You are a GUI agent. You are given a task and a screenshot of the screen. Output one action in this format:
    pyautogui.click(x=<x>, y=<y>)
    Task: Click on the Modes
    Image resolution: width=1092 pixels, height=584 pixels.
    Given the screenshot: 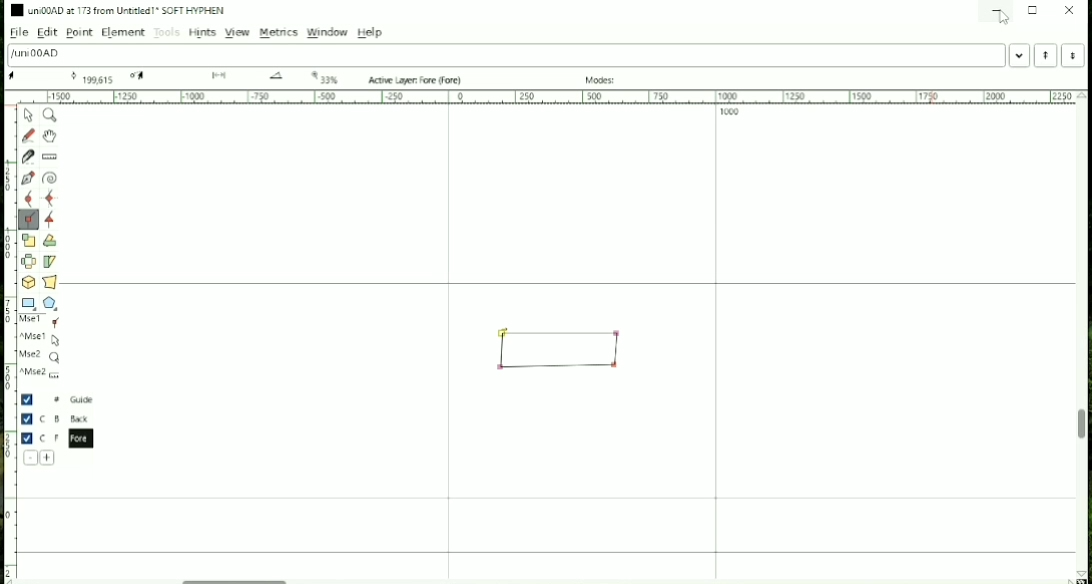 What is the action you would take?
    pyautogui.click(x=603, y=80)
    